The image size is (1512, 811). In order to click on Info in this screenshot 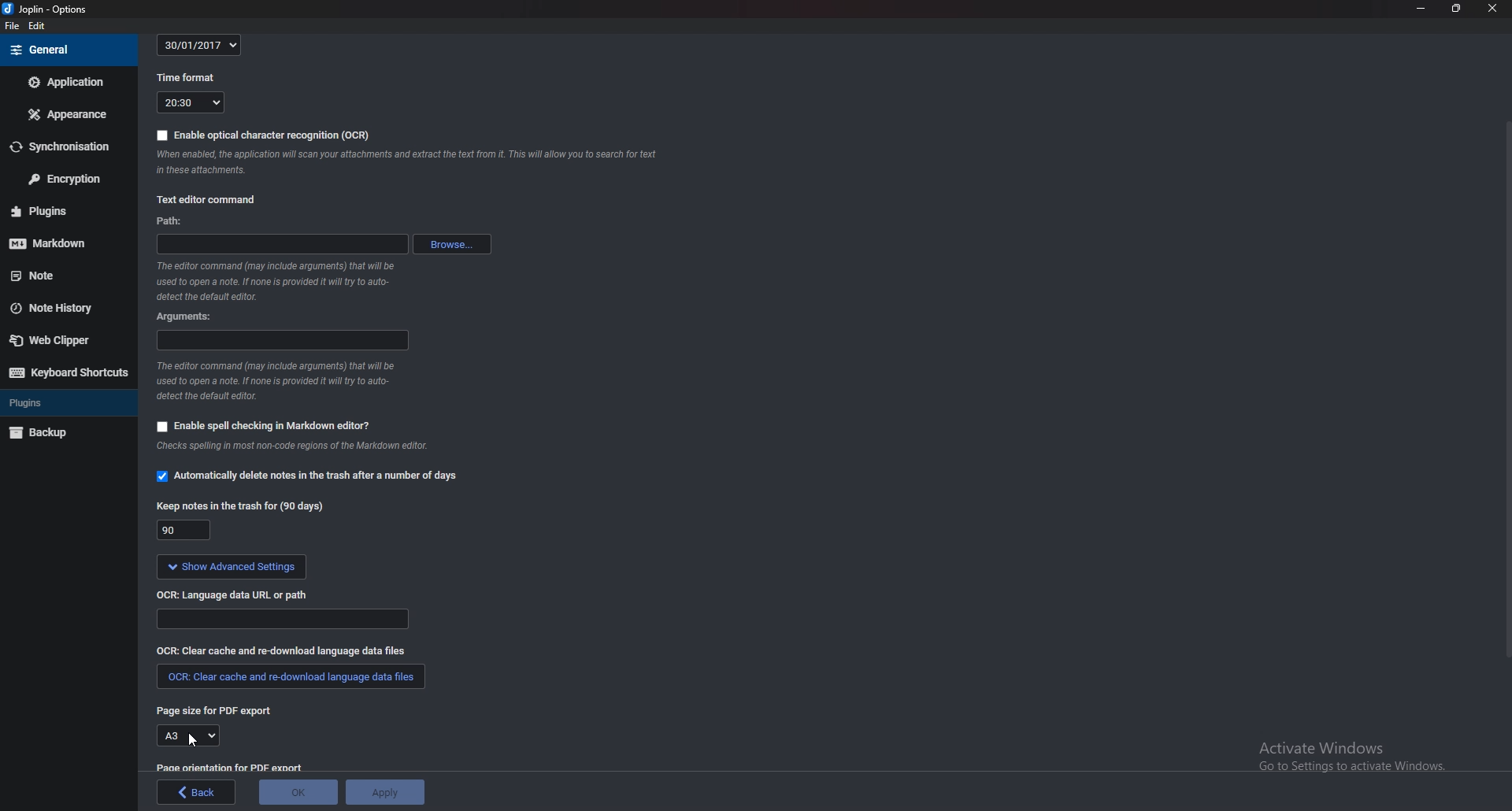, I will do `click(282, 280)`.